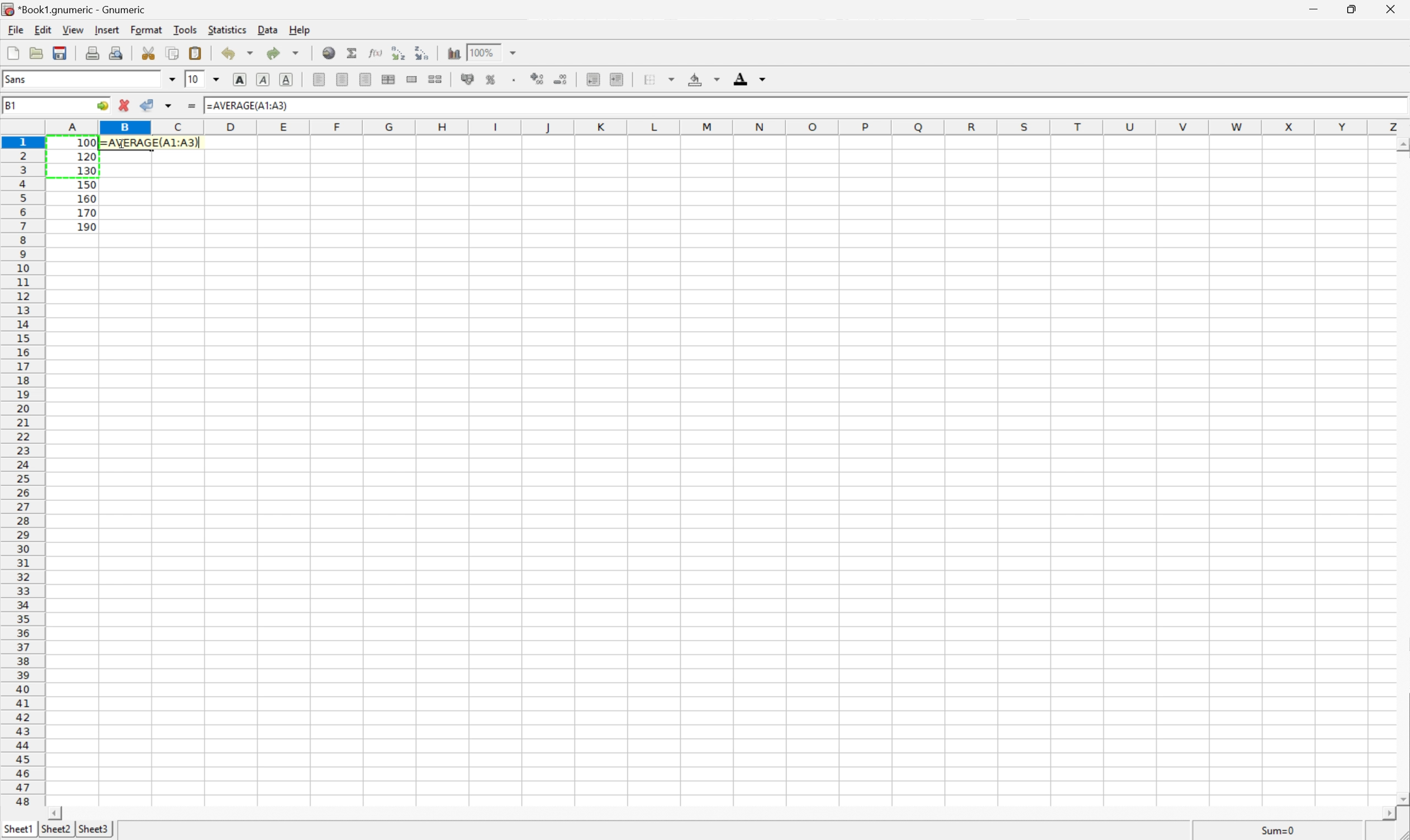  I want to click on Copy the selection, so click(173, 54).